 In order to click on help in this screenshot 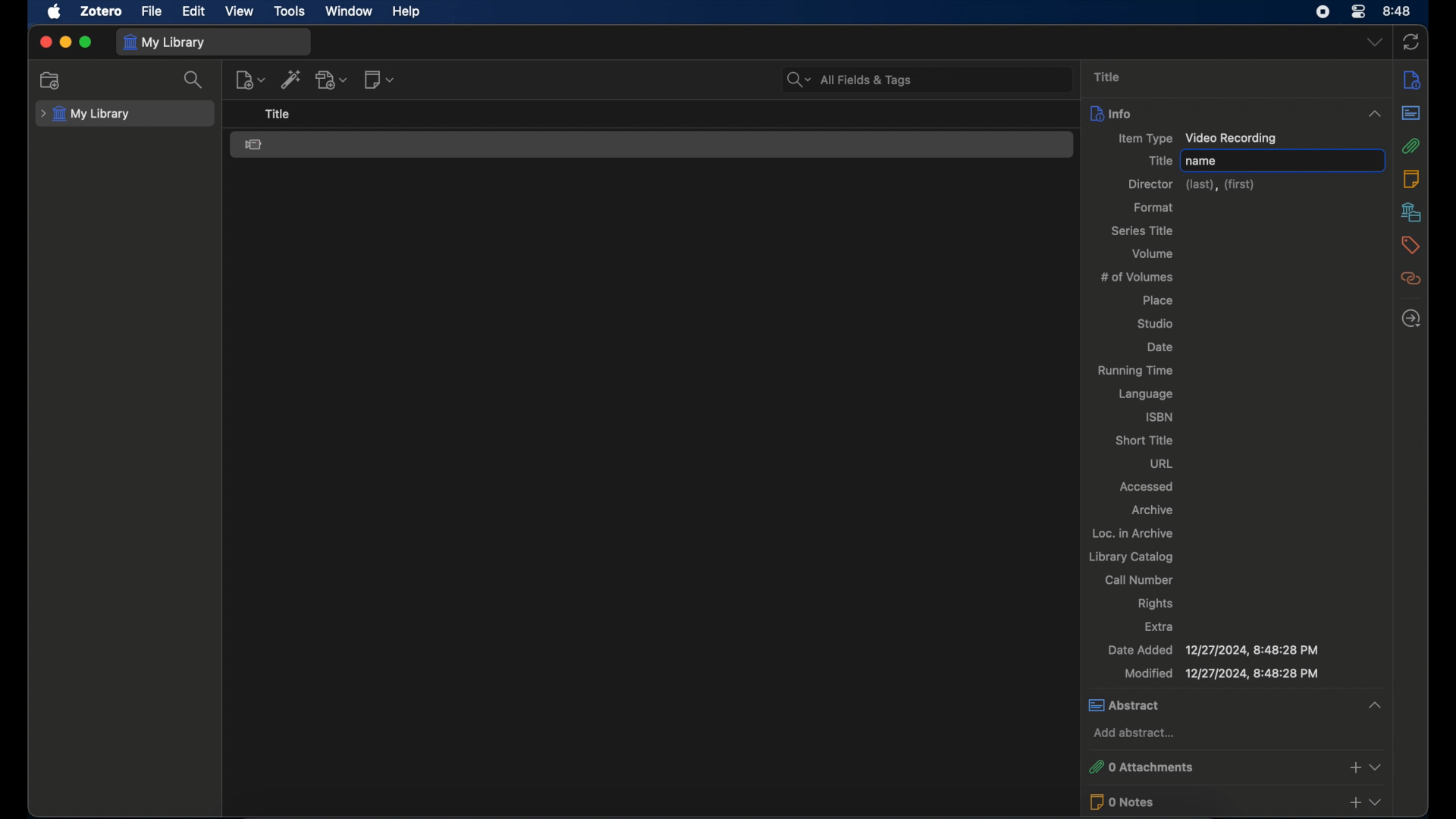, I will do `click(408, 12)`.